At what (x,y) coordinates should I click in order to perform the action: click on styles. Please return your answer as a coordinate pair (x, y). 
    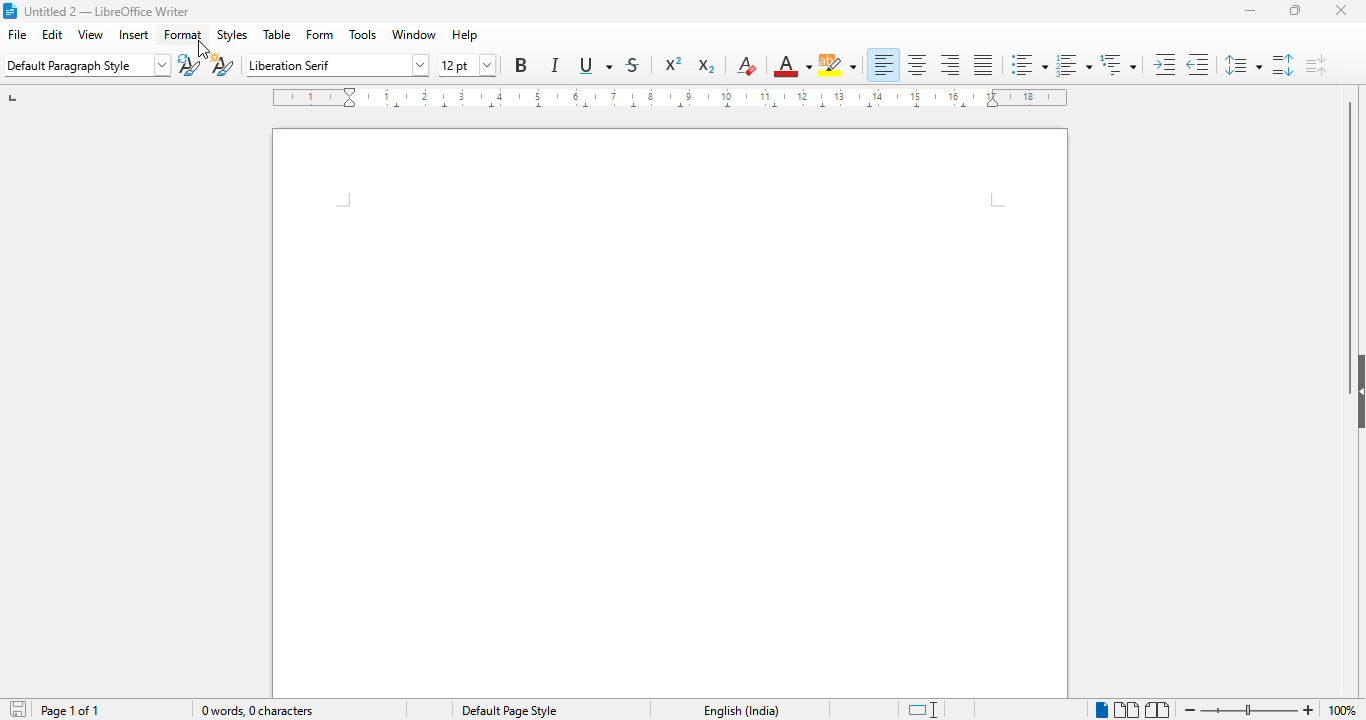
    Looking at the image, I should click on (233, 35).